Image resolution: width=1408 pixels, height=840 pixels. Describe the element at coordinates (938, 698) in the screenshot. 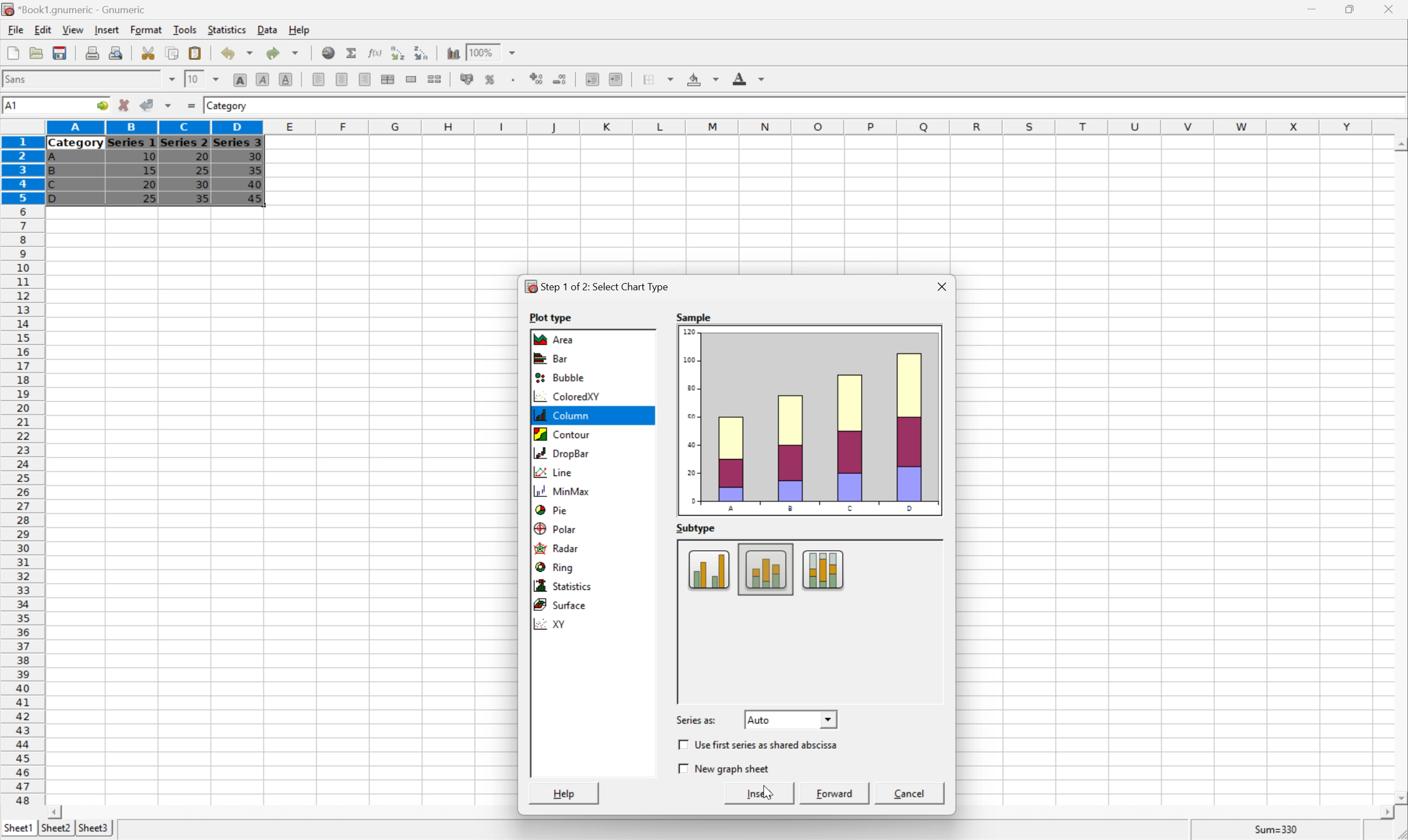

I see `Scroll Down` at that location.